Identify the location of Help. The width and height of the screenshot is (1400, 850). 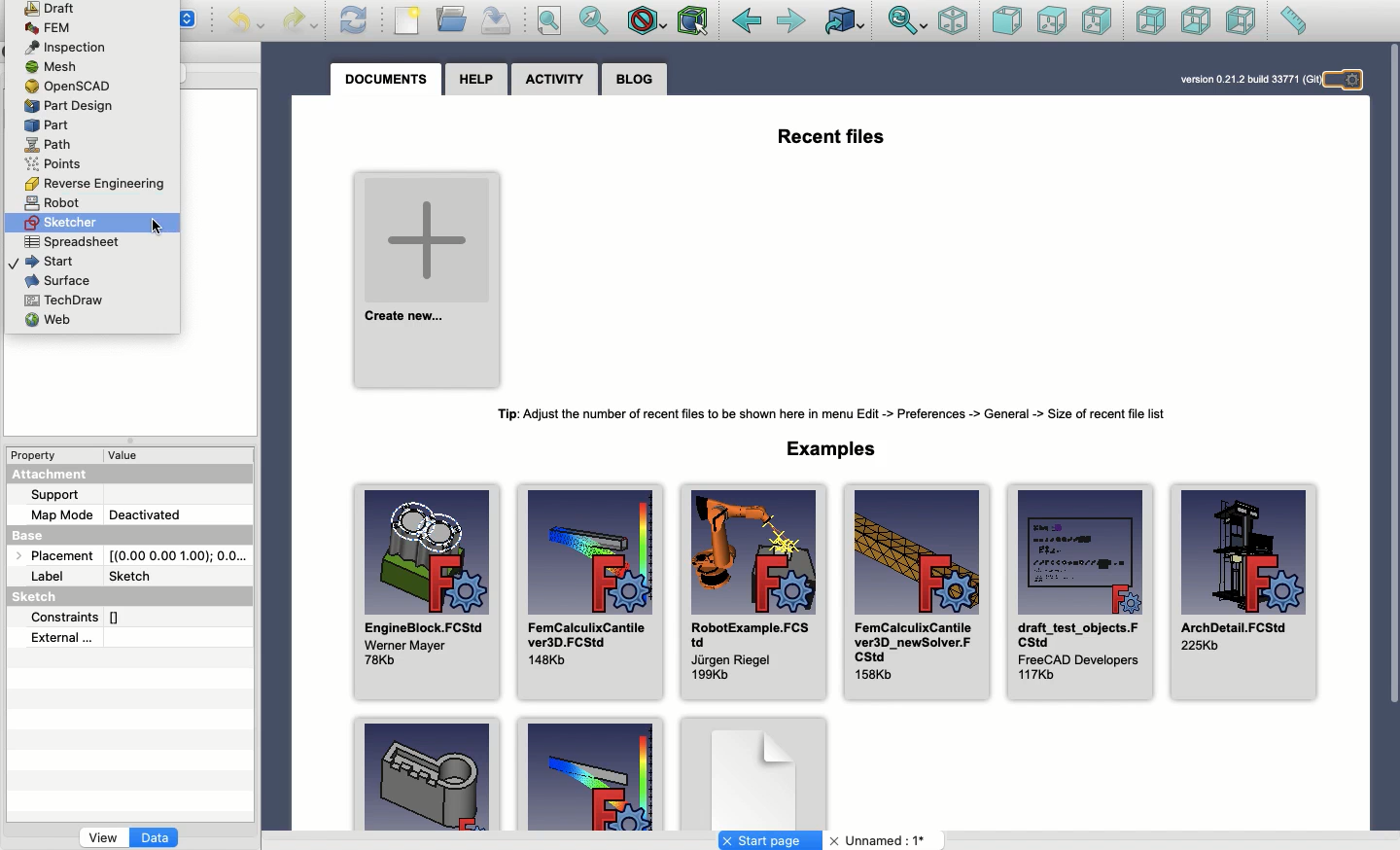
(477, 81).